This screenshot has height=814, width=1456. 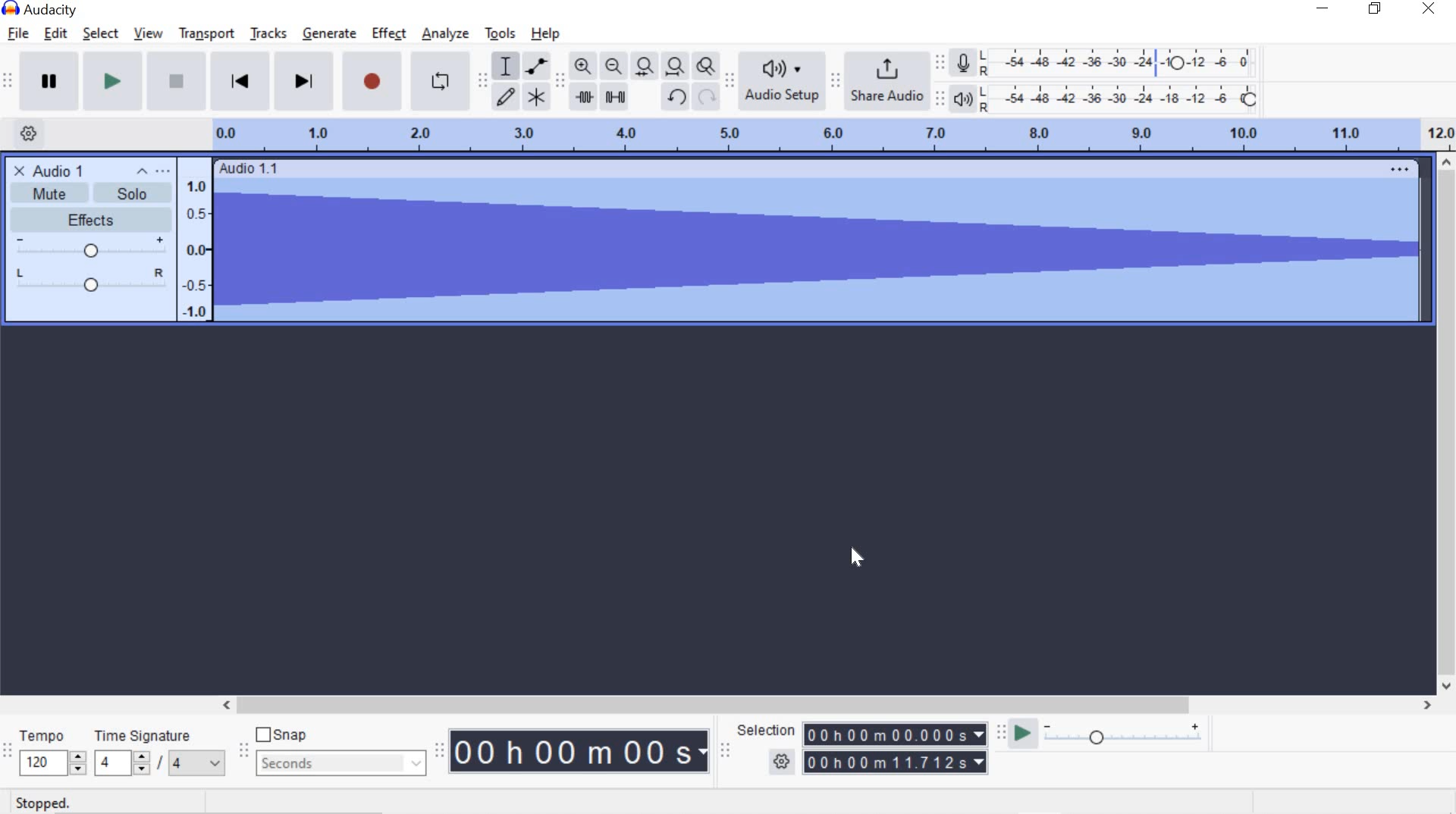 What do you see at coordinates (49, 80) in the screenshot?
I see `pause` at bounding box center [49, 80].